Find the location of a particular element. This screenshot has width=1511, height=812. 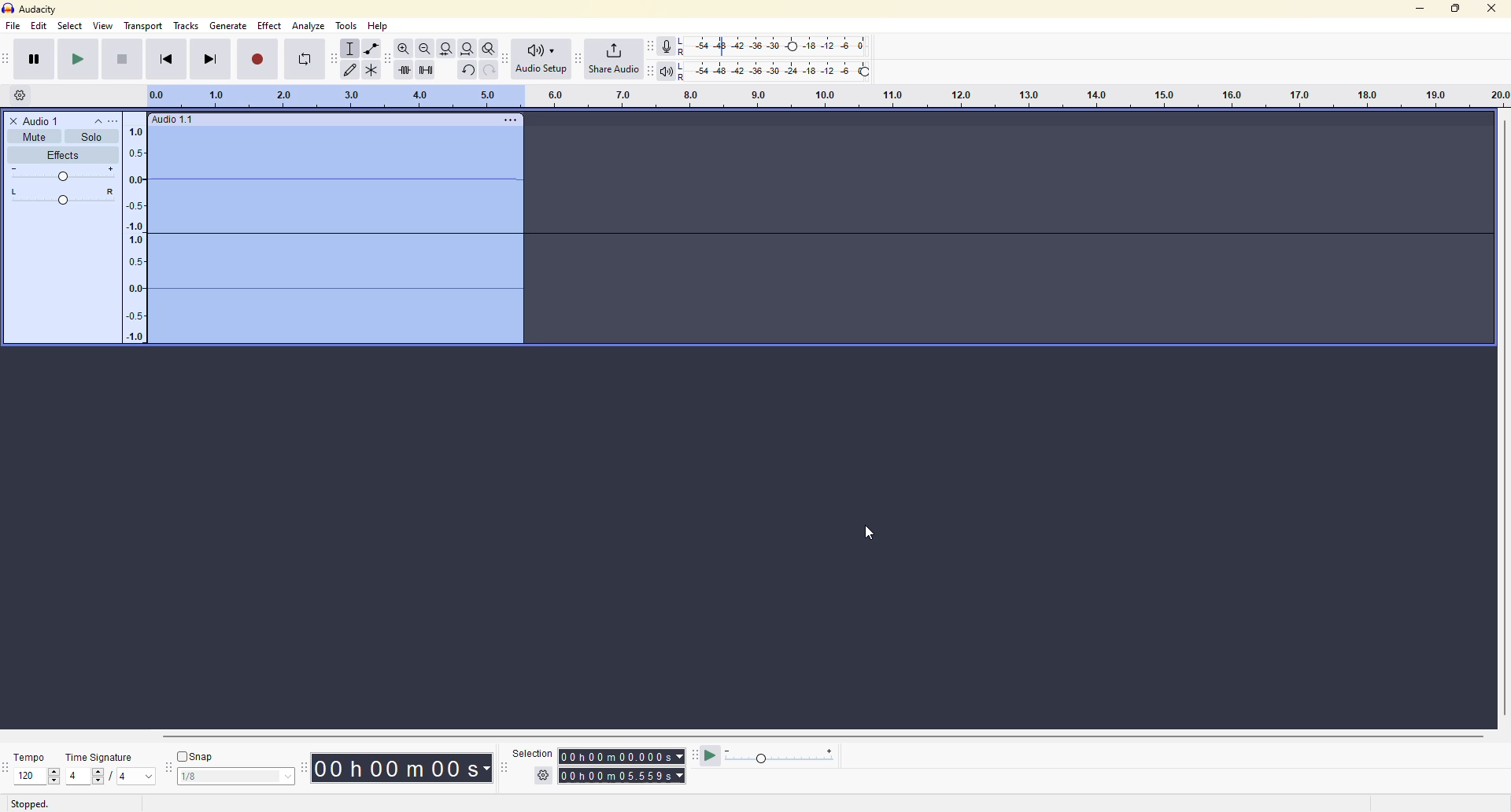

time toolbar is located at coordinates (307, 766).